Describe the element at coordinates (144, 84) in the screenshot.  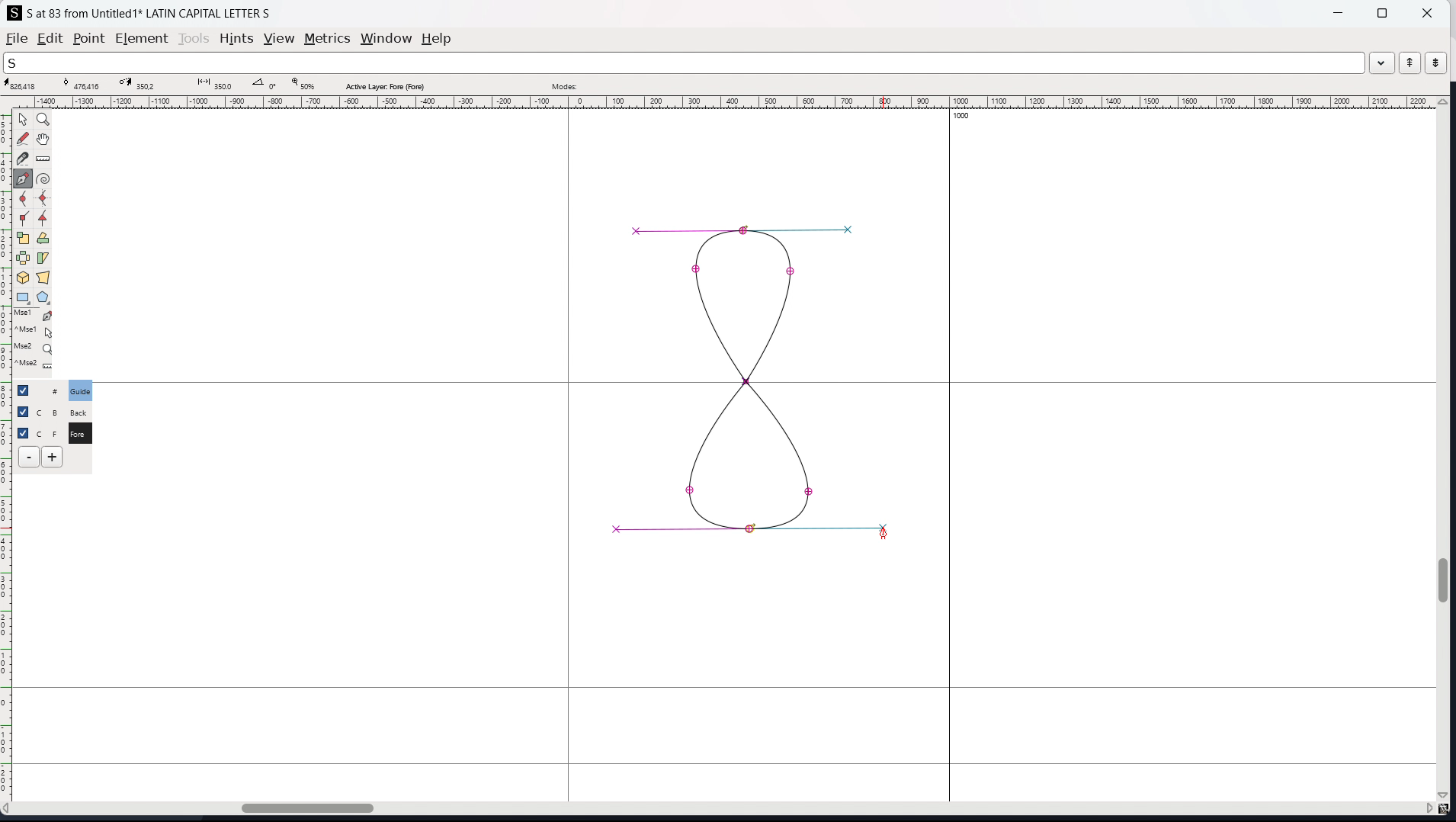
I see `cursor destination coordinate` at that location.